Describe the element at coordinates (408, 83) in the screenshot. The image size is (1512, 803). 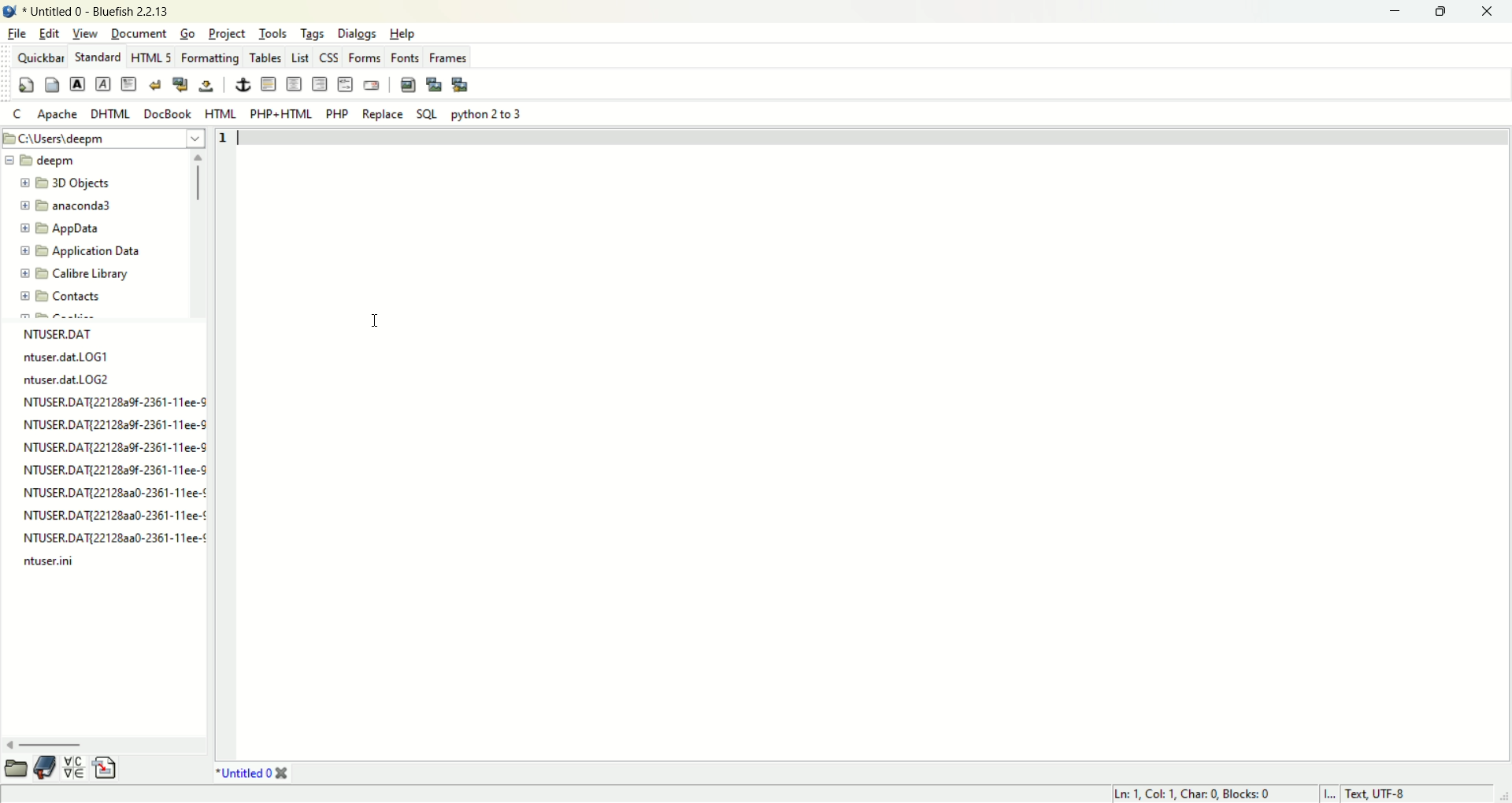
I see `insert images` at that location.